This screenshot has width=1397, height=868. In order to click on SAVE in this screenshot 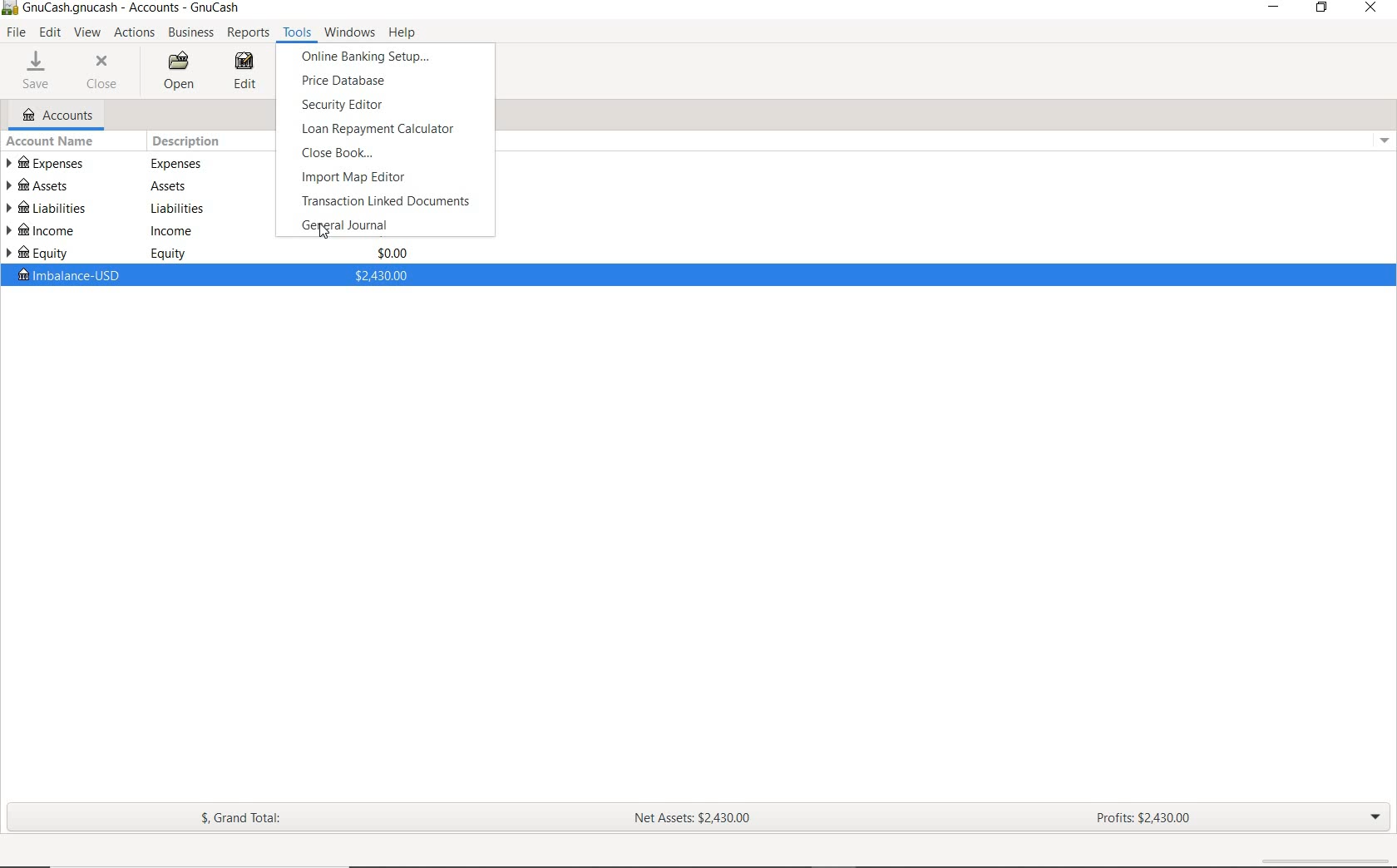, I will do `click(35, 70)`.